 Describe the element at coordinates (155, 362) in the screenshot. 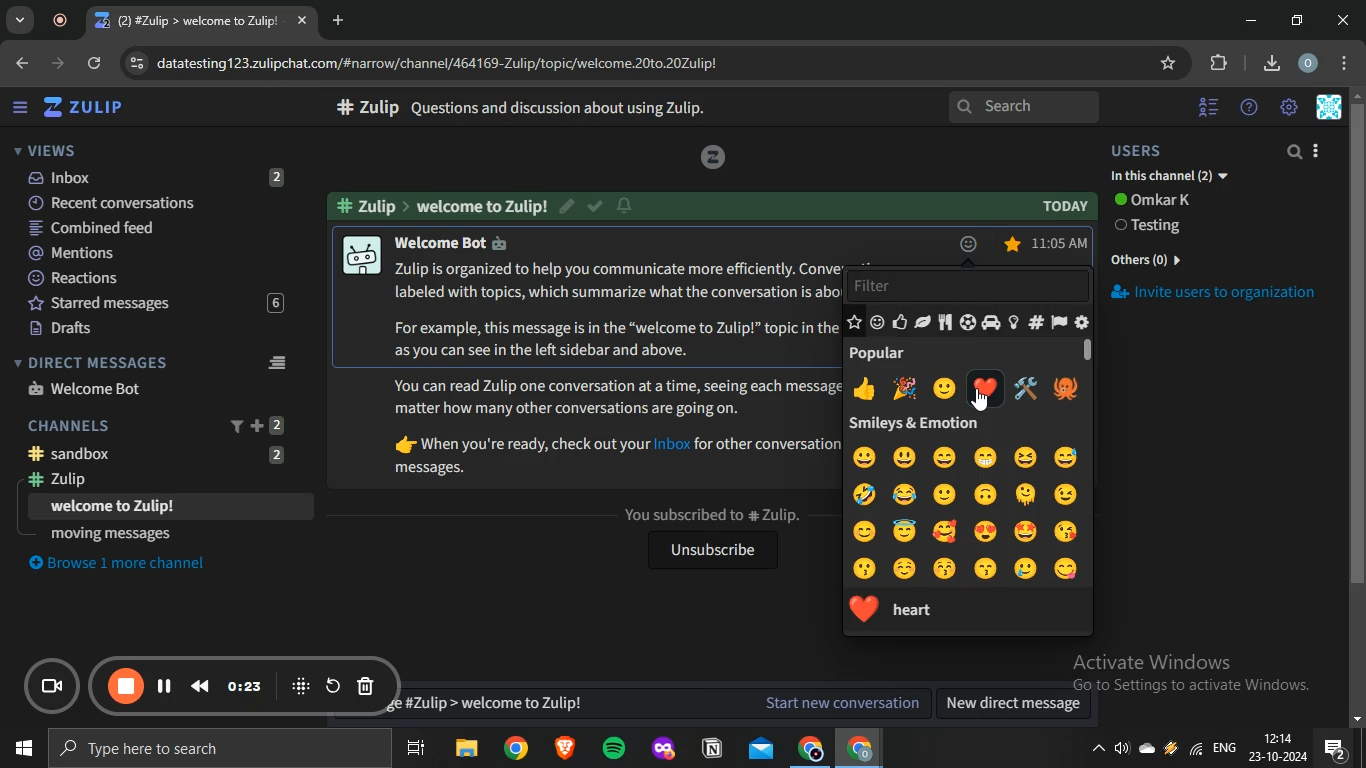

I see `direct messages` at that location.